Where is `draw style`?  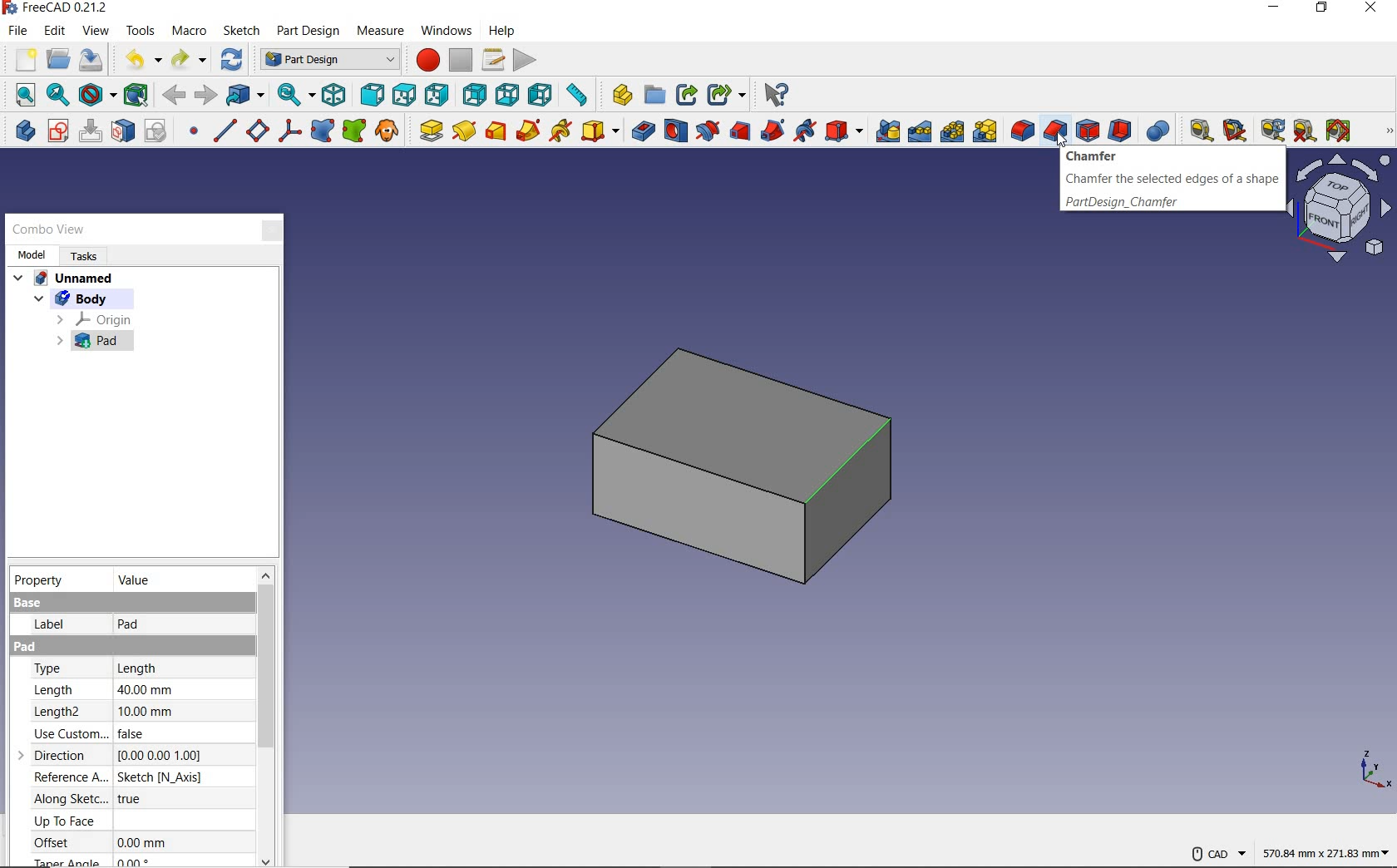 draw style is located at coordinates (96, 96).